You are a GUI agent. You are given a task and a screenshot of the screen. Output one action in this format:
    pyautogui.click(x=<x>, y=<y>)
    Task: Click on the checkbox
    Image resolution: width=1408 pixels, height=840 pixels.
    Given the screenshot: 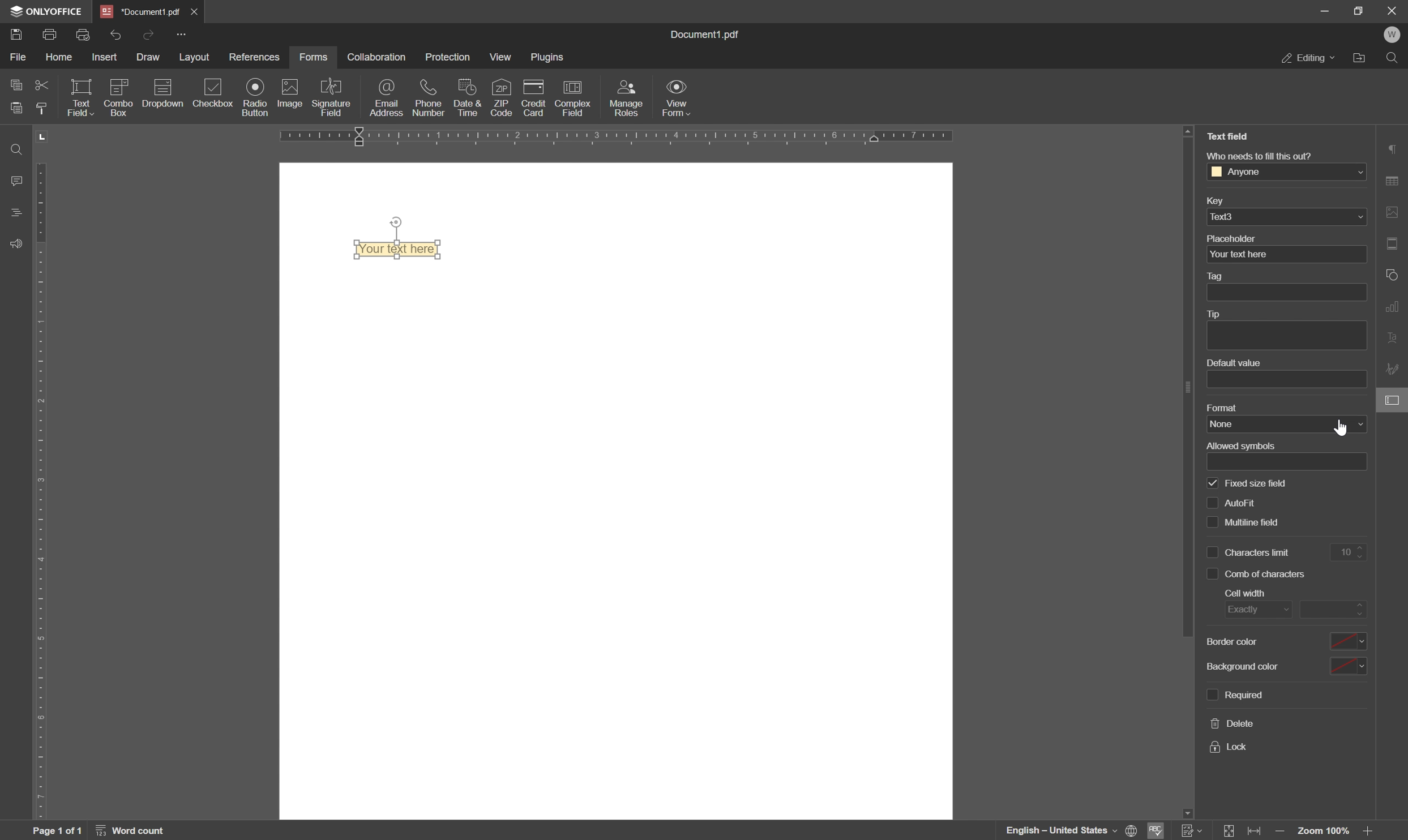 What is the action you would take?
    pyautogui.click(x=214, y=93)
    